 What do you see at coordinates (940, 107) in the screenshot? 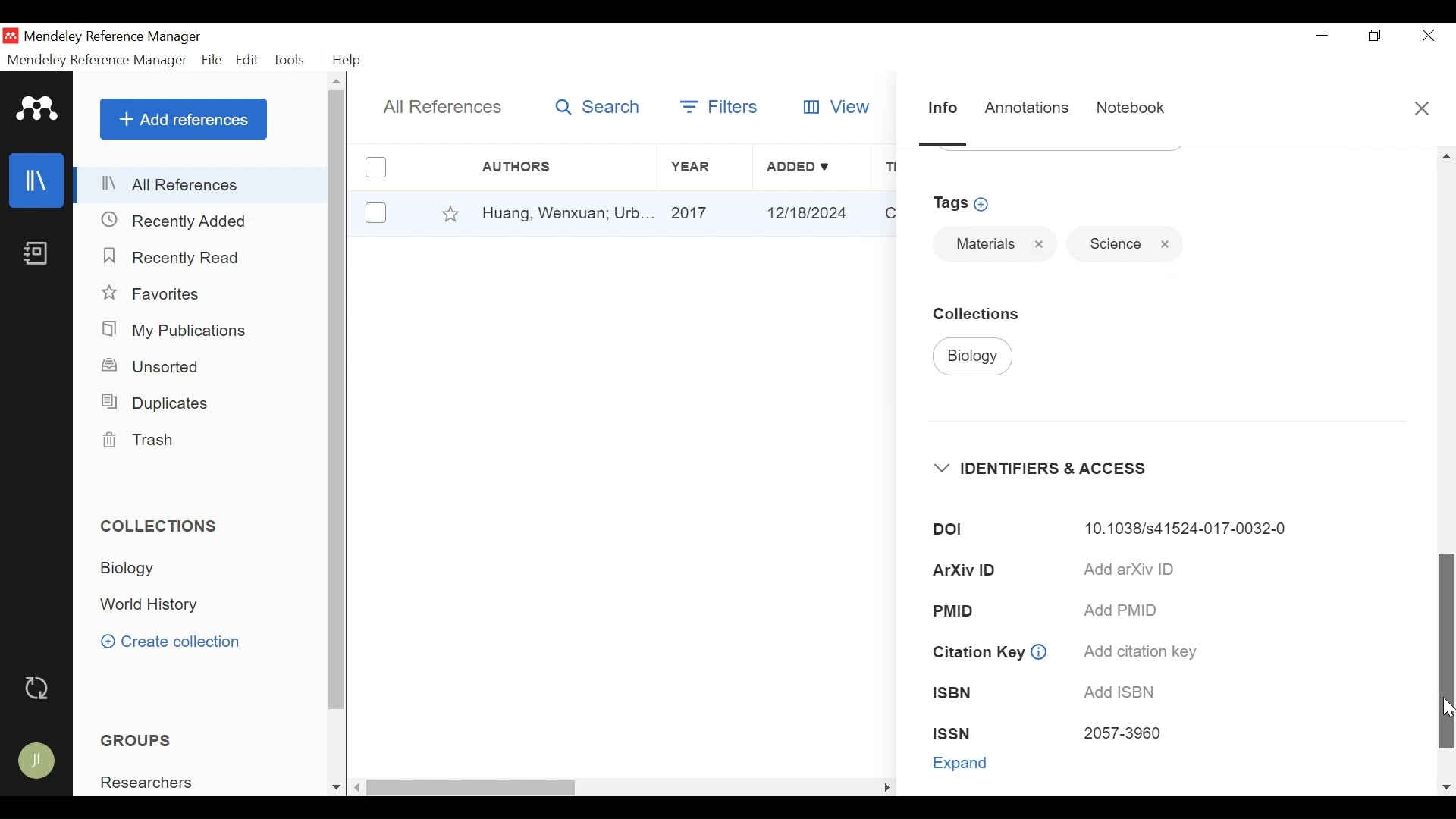
I see `Information` at bounding box center [940, 107].